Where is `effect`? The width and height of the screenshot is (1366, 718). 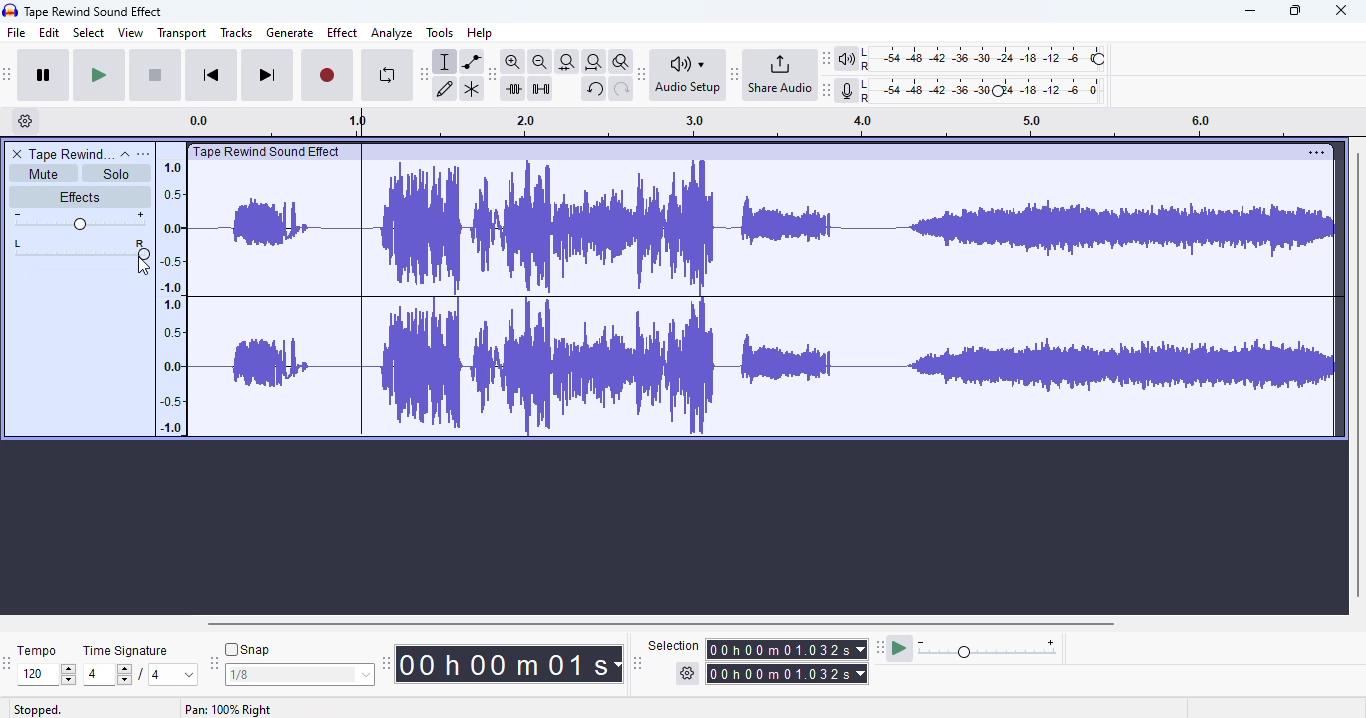
effect is located at coordinates (343, 33).